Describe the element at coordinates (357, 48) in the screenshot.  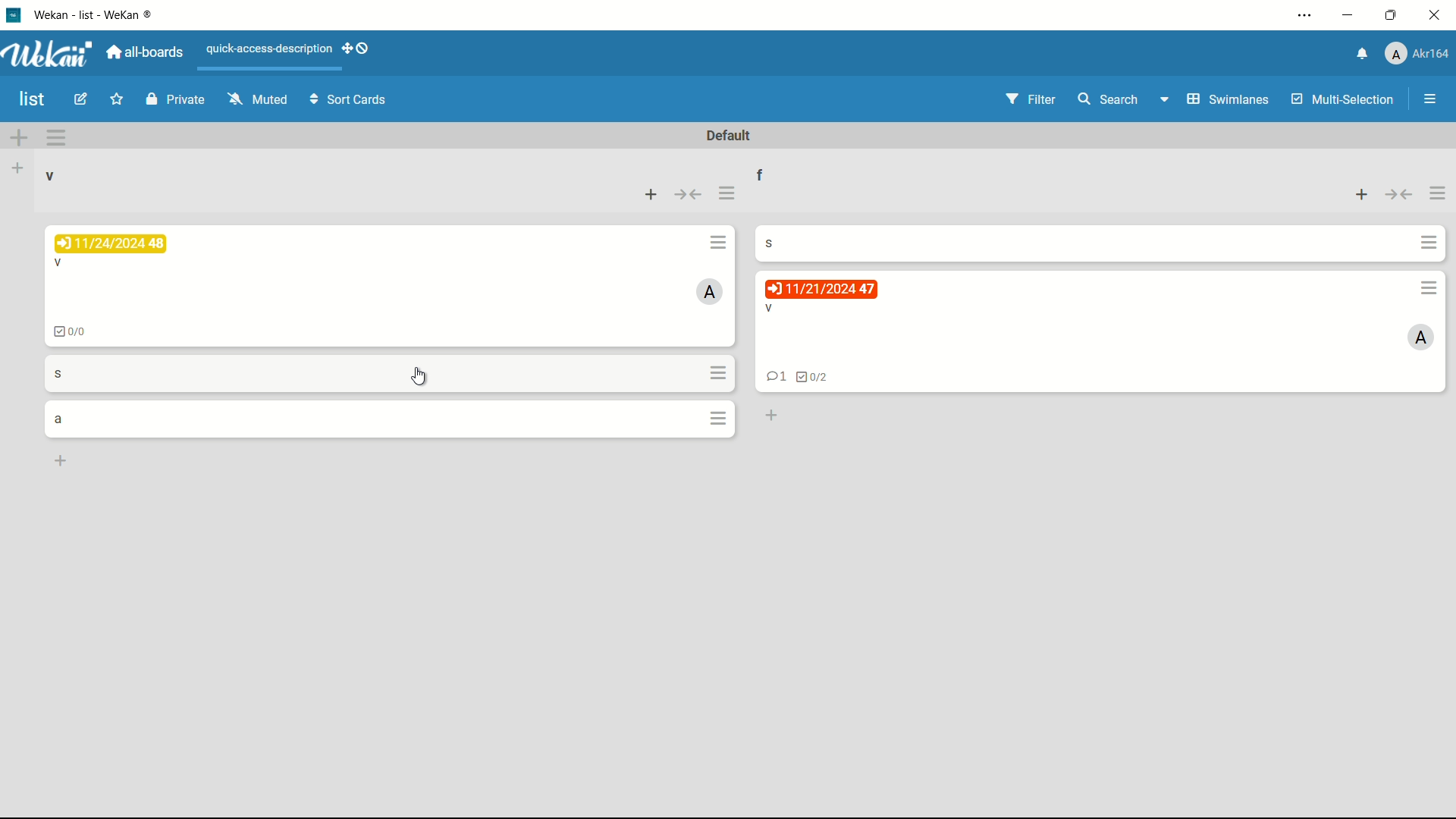
I see `show-desktop-drag-handles` at that location.